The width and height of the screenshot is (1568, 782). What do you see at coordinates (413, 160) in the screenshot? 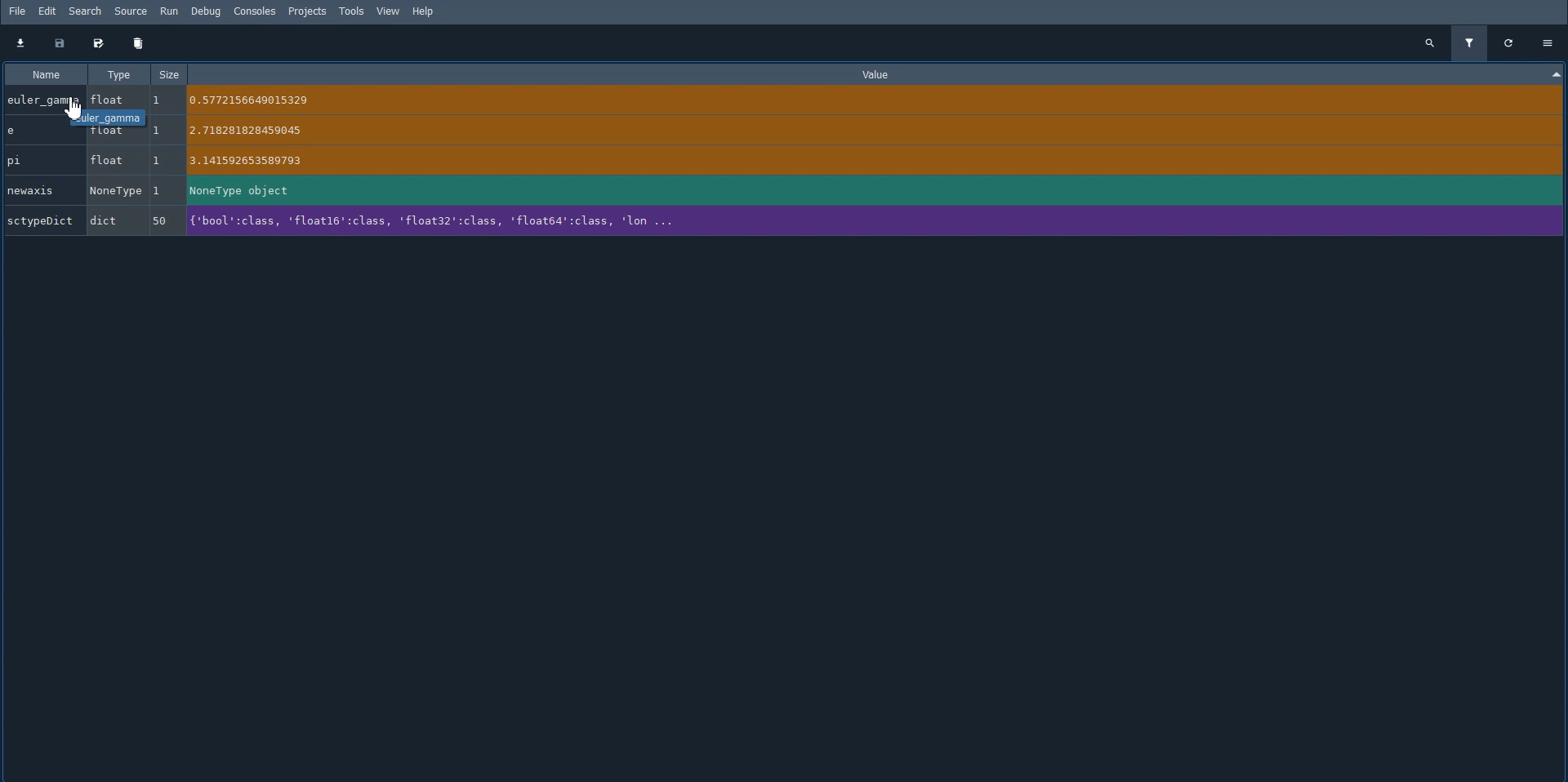
I see `pi` at bounding box center [413, 160].